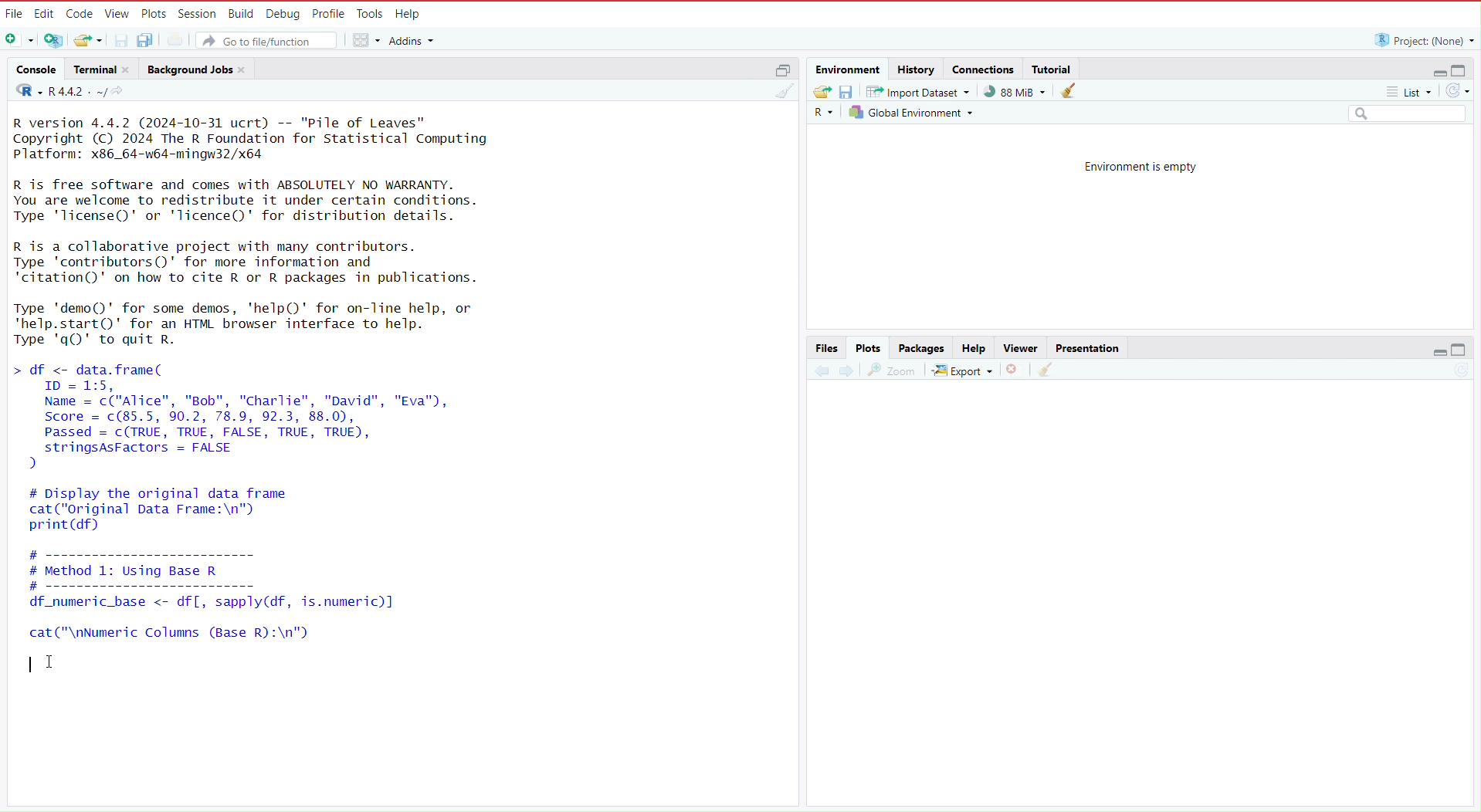  What do you see at coordinates (371, 13) in the screenshot?
I see `Tools` at bounding box center [371, 13].